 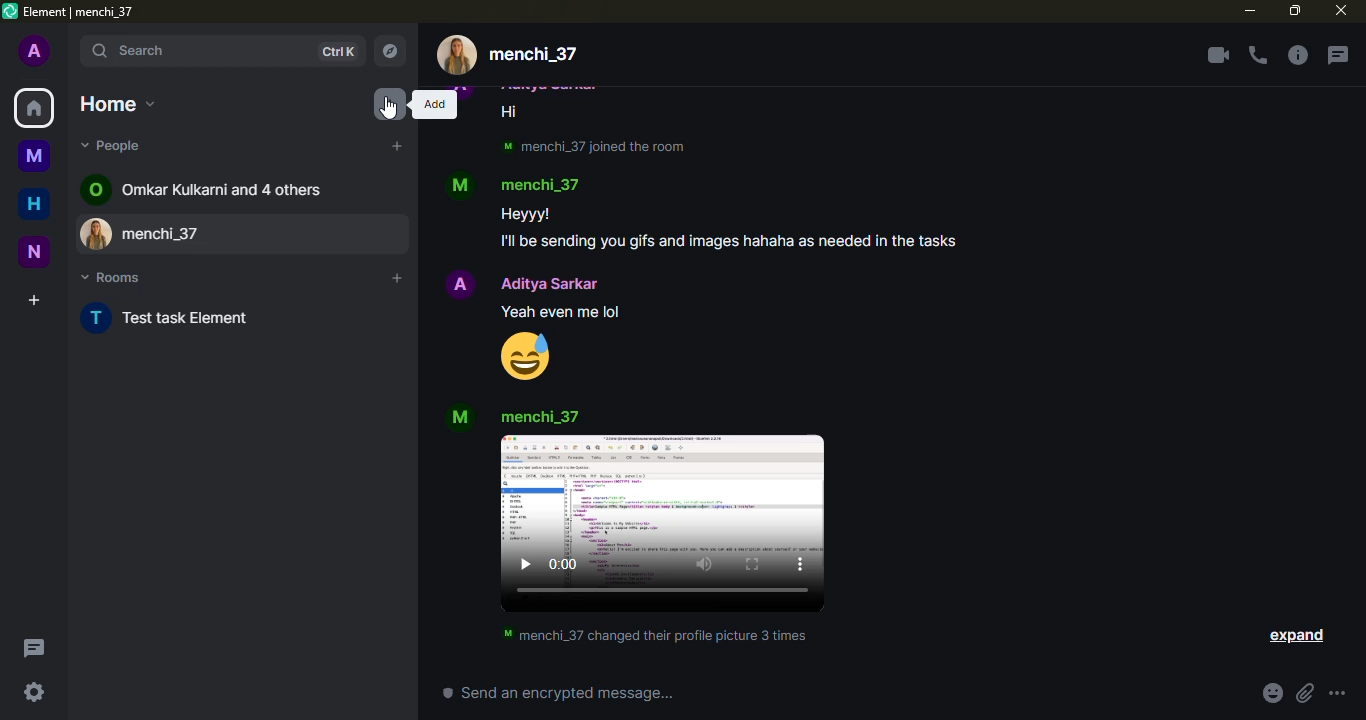 What do you see at coordinates (549, 284) in the screenshot?
I see `Aditya Sarkar` at bounding box center [549, 284].